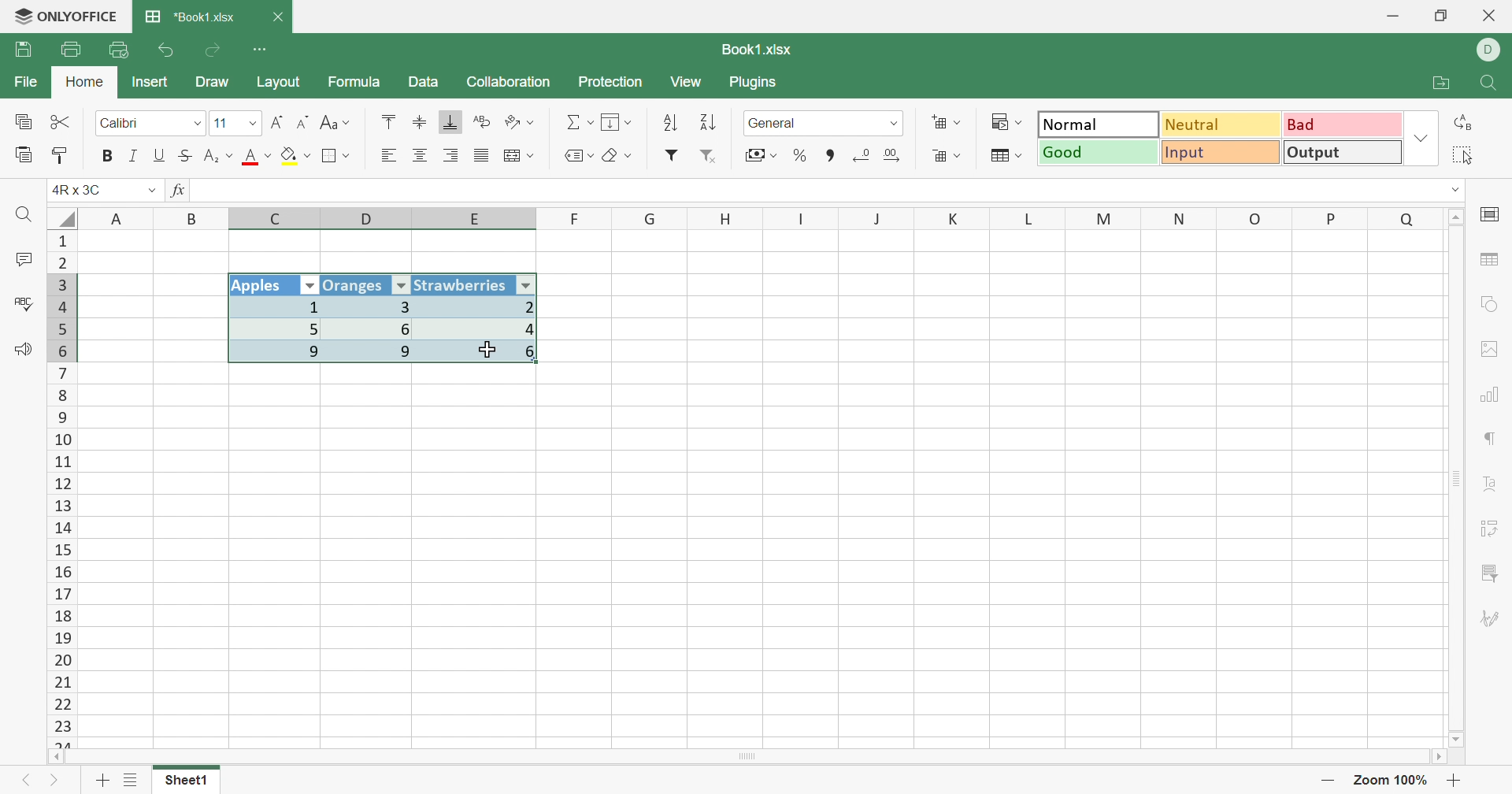  Describe the element at coordinates (879, 219) in the screenshot. I see `J` at that location.